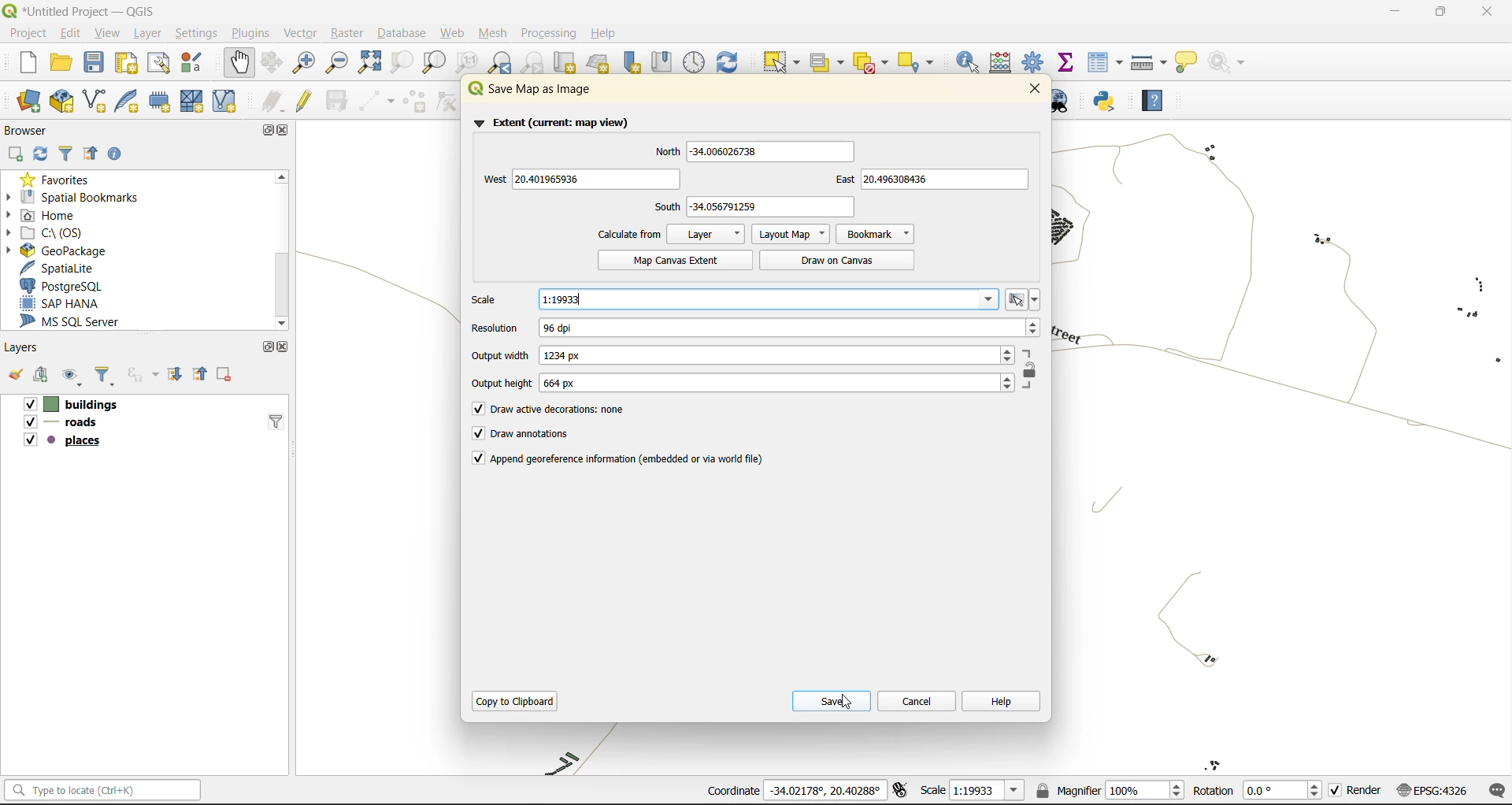 This screenshot has width=1512, height=805. Describe the element at coordinates (606, 33) in the screenshot. I see `help` at that location.